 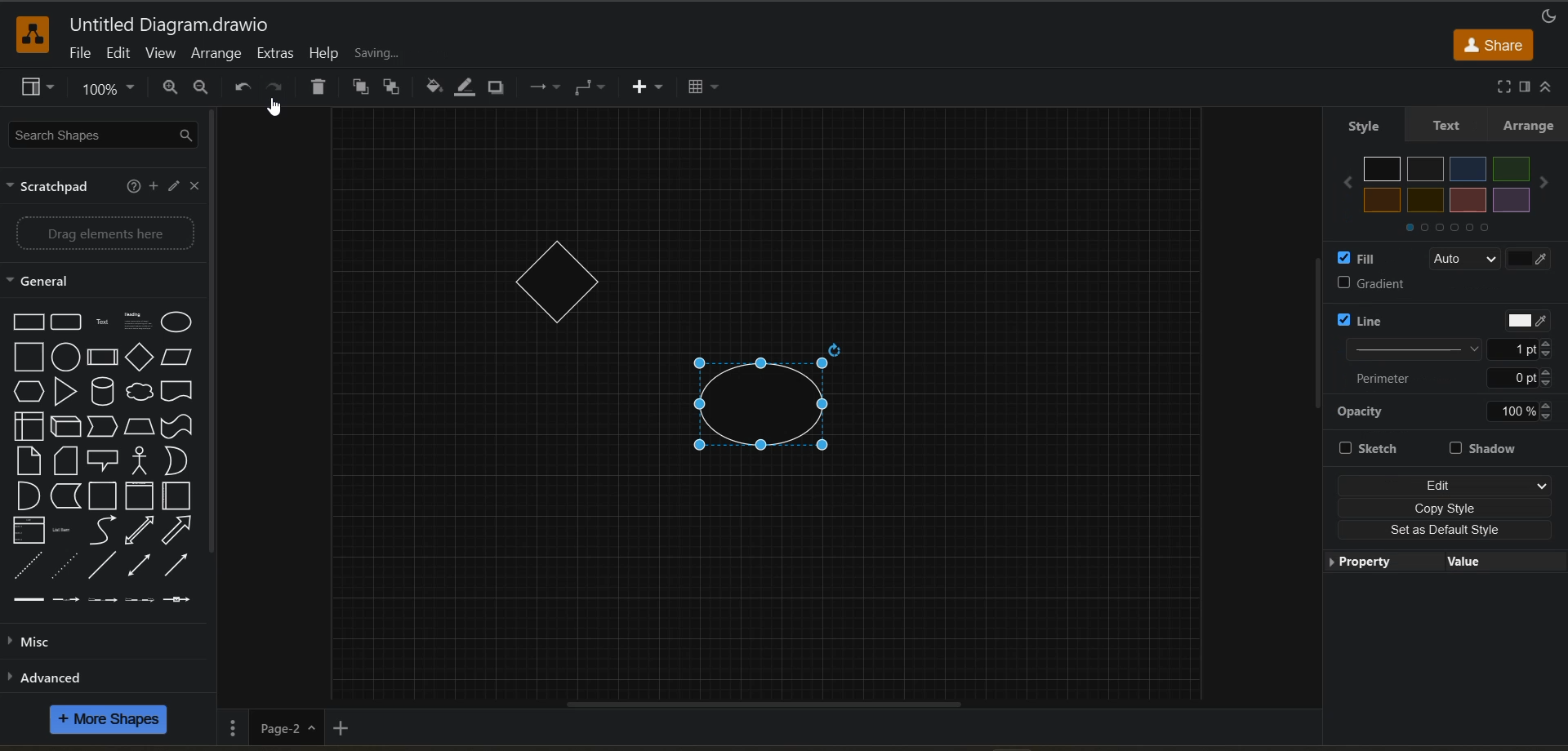 What do you see at coordinates (171, 188) in the screenshot?
I see `edit` at bounding box center [171, 188].